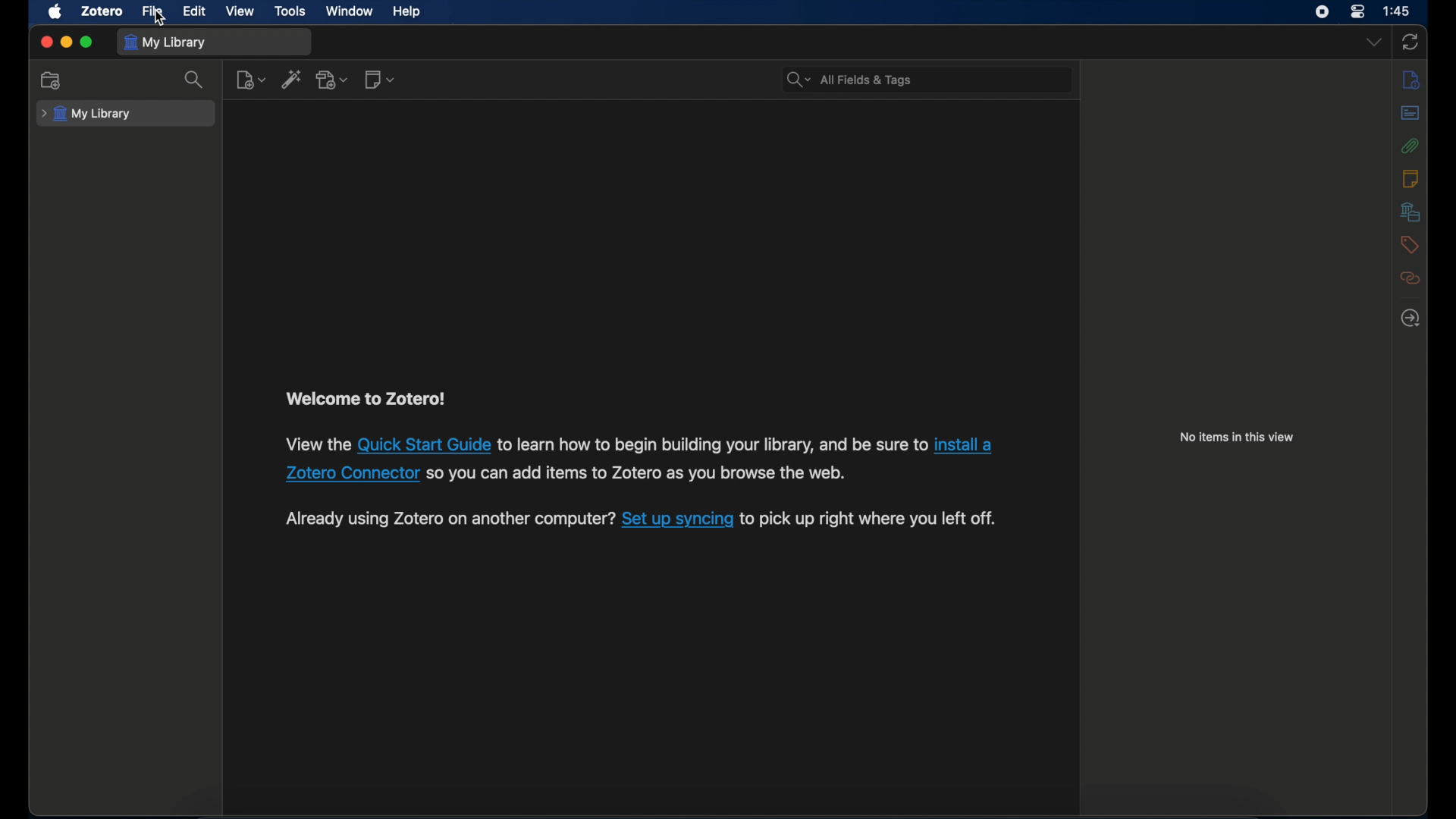 The image size is (1456, 819). What do you see at coordinates (45, 42) in the screenshot?
I see `close` at bounding box center [45, 42].